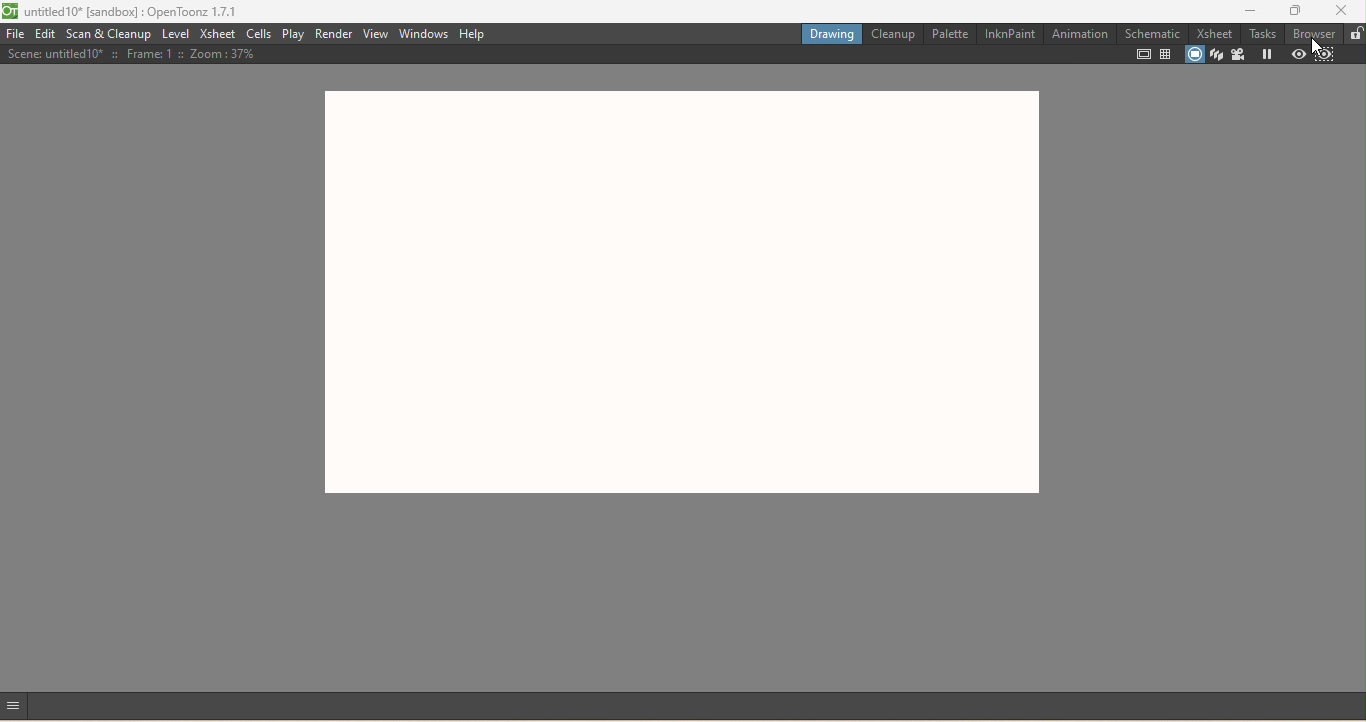 The height and width of the screenshot is (722, 1366). I want to click on Scene details, so click(132, 54).